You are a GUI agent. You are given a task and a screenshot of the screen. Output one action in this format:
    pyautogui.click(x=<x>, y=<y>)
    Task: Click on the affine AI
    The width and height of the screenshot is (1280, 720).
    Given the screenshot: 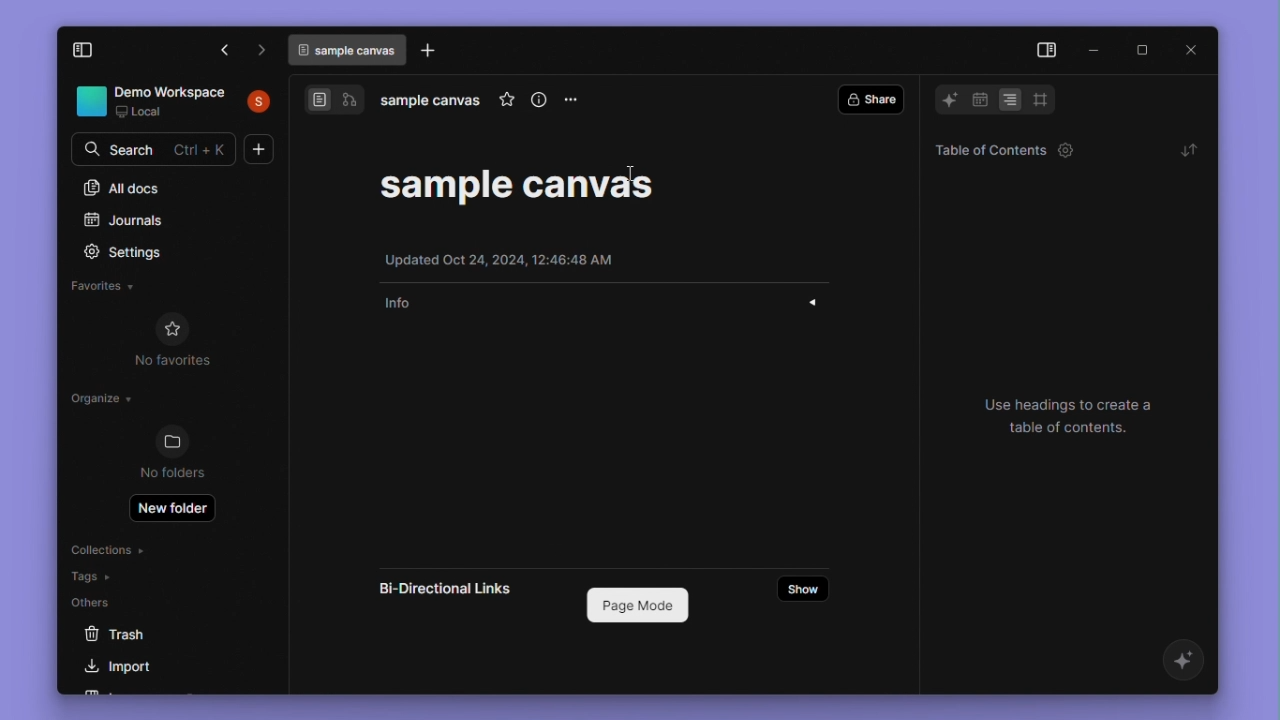 What is the action you would take?
    pyautogui.click(x=1186, y=662)
    